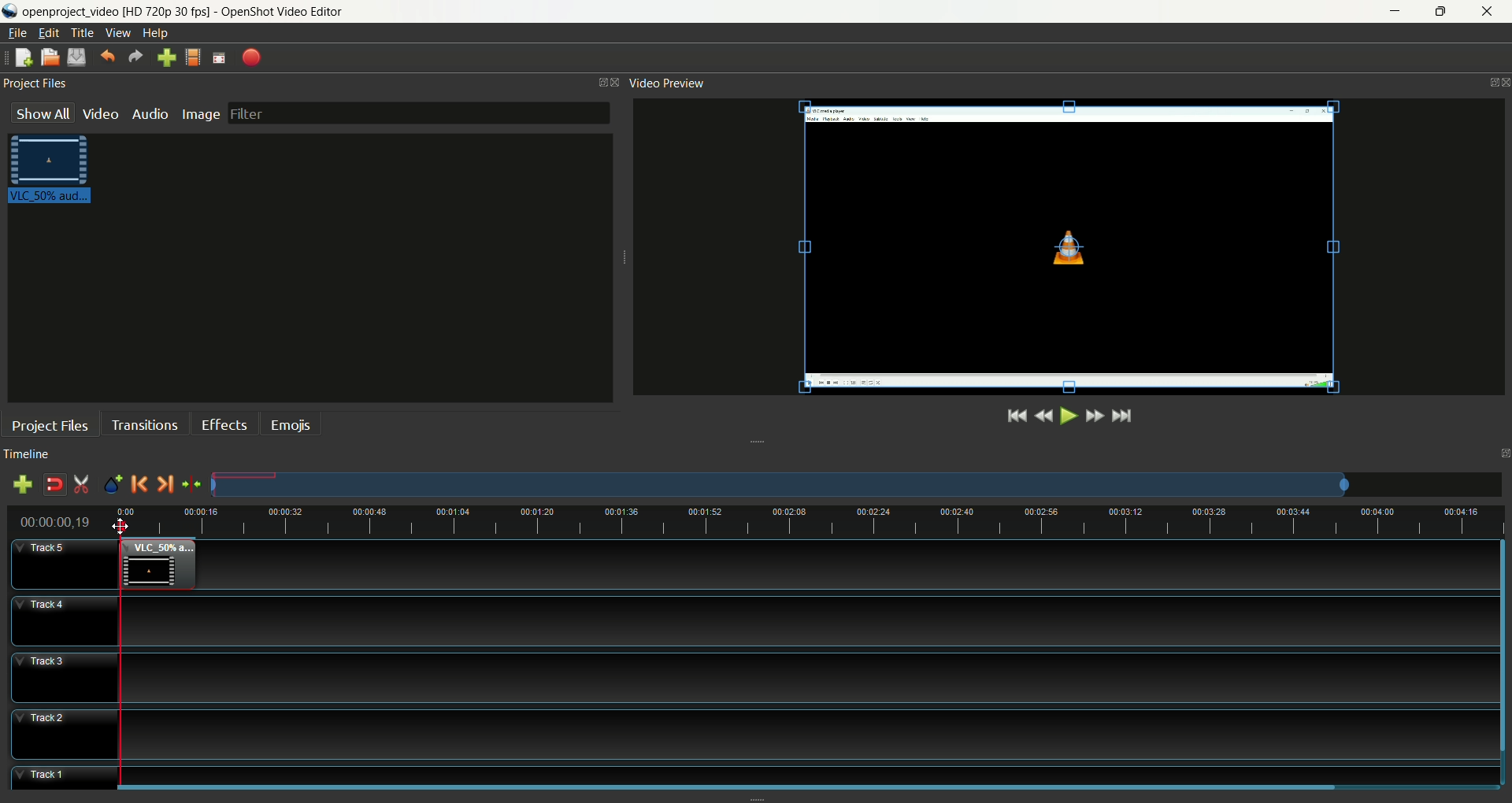 The width and height of the screenshot is (1512, 803). Describe the element at coordinates (67, 678) in the screenshot. I see `track3` at that location.